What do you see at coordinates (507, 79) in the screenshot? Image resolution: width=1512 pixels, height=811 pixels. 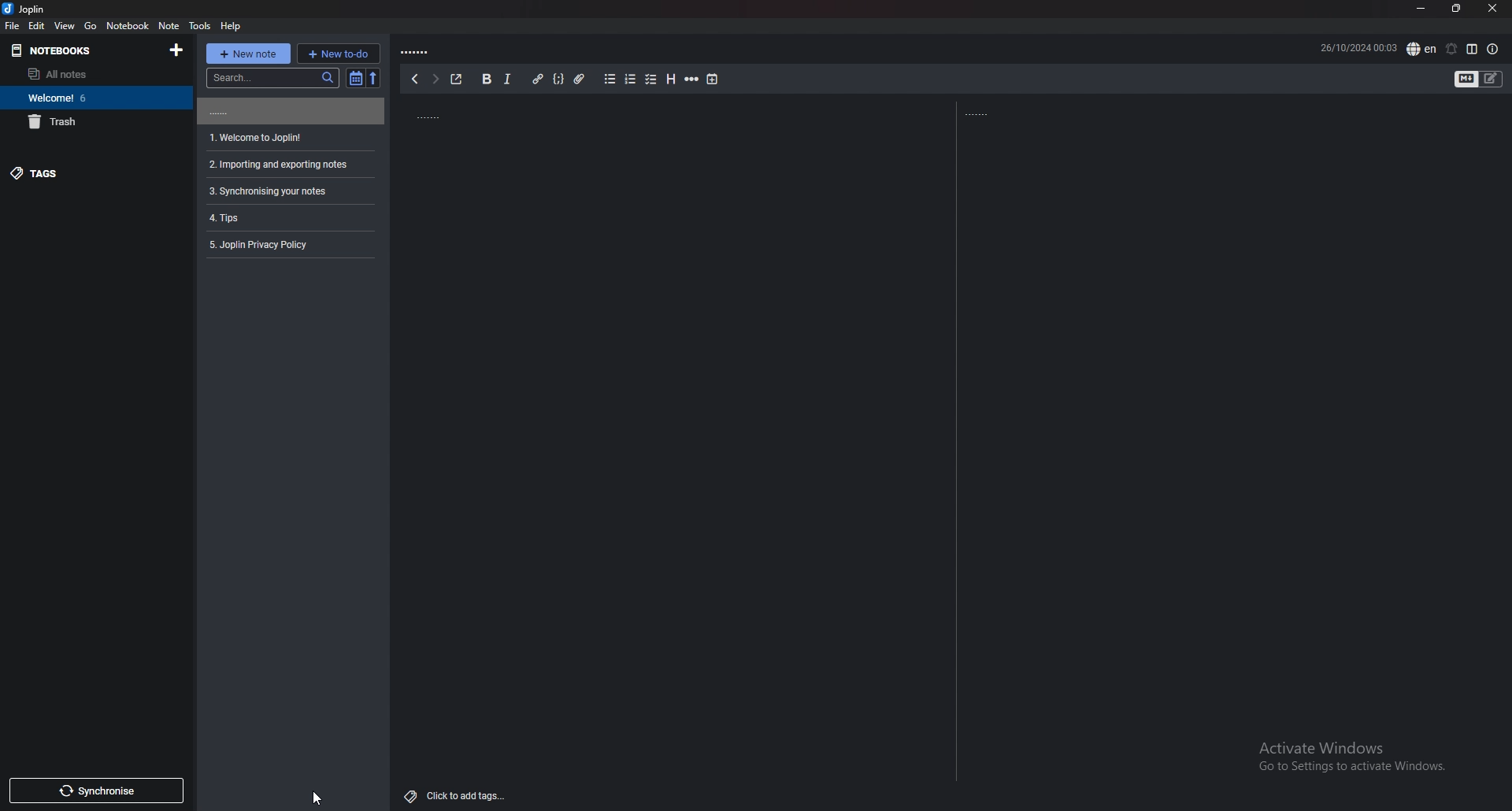 I see `italic` at bounding box center [507, 79].